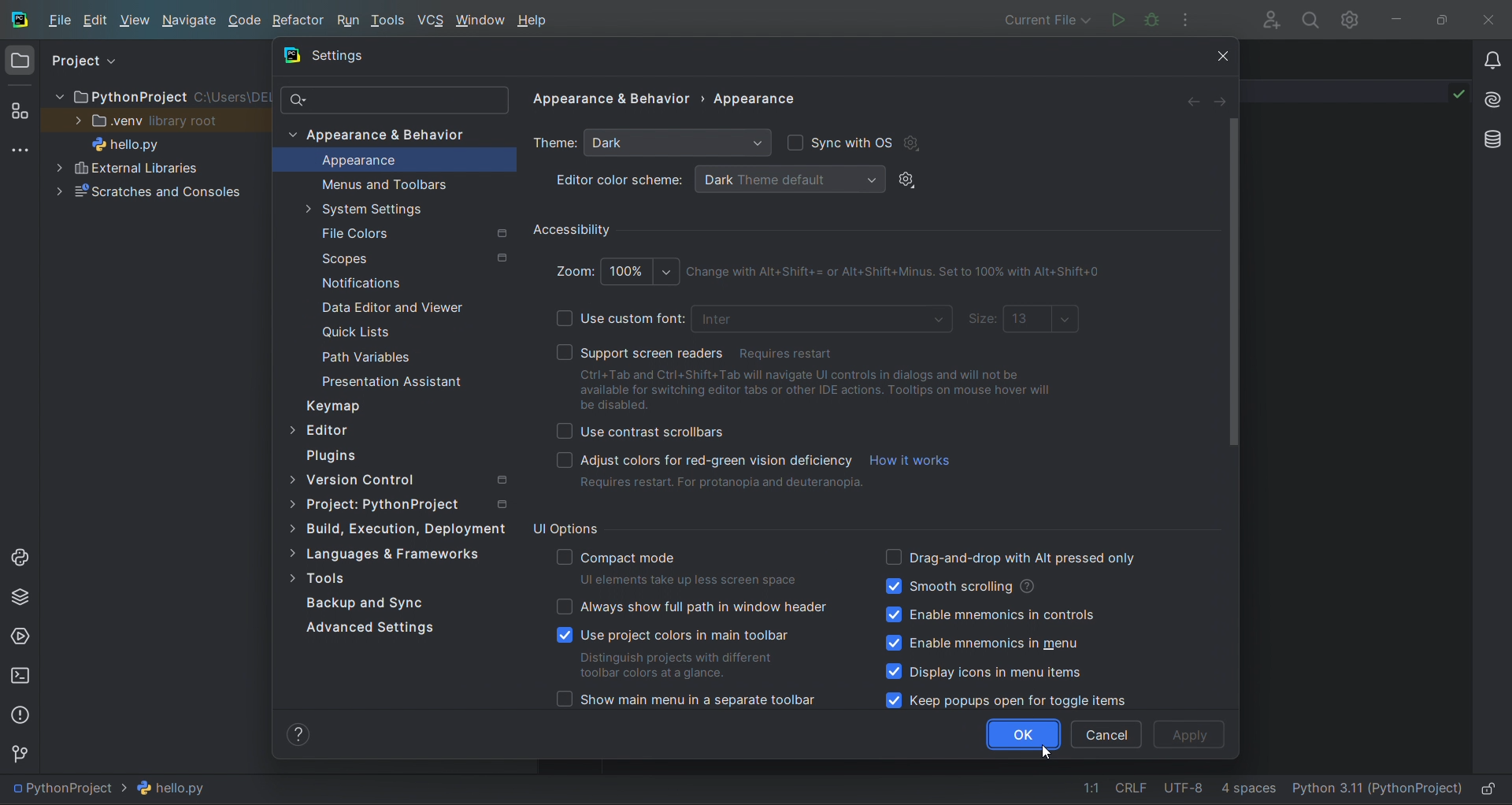 The image size is (1512, 805). Describe the element at coordinates (115, 791) in the screenshot. I see `file path` at that location.